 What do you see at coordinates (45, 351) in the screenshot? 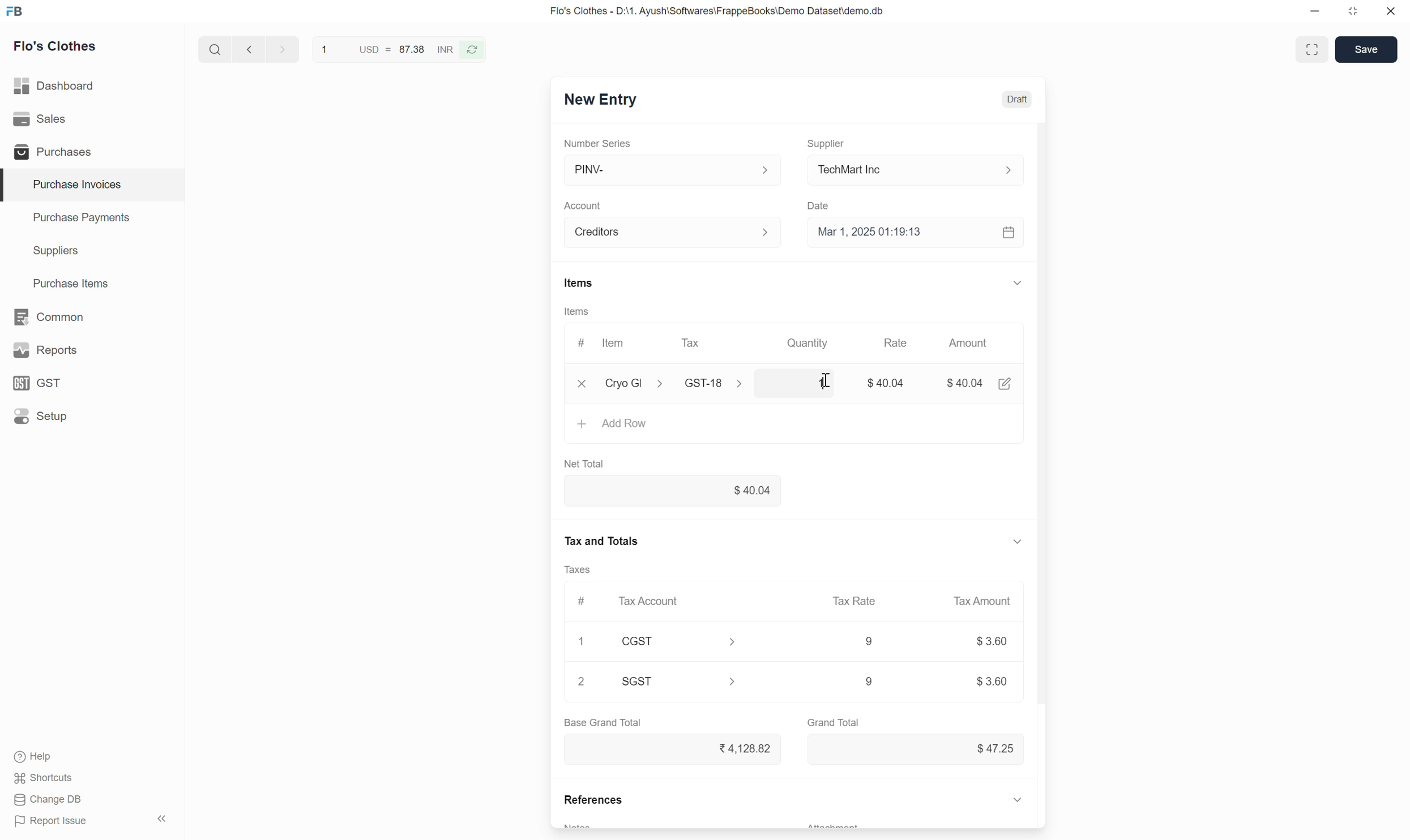
I see `y Reports` at bounding box center [45, 351].